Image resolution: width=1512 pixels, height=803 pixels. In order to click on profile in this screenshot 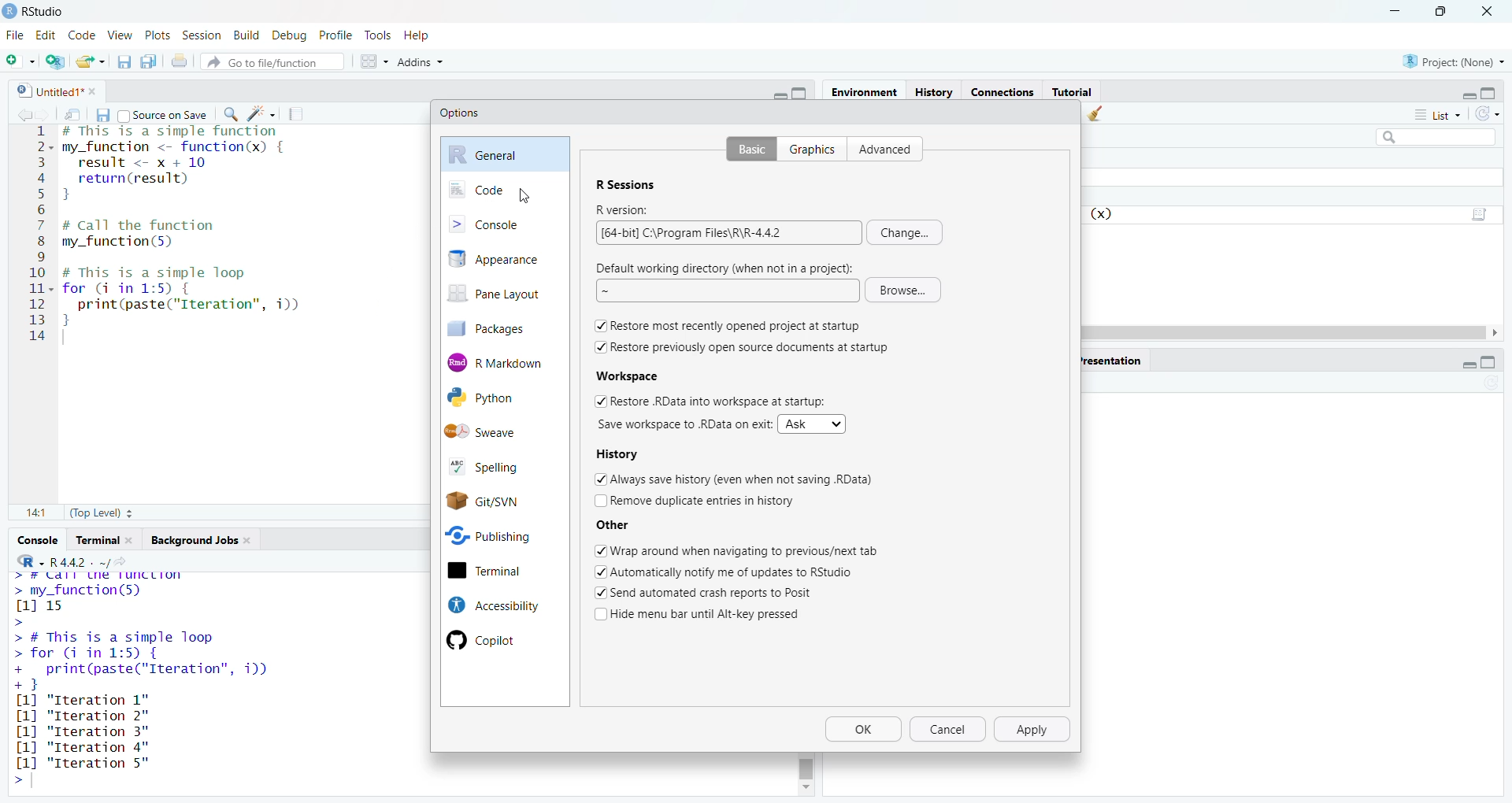, I will do `click(339, 34)`.